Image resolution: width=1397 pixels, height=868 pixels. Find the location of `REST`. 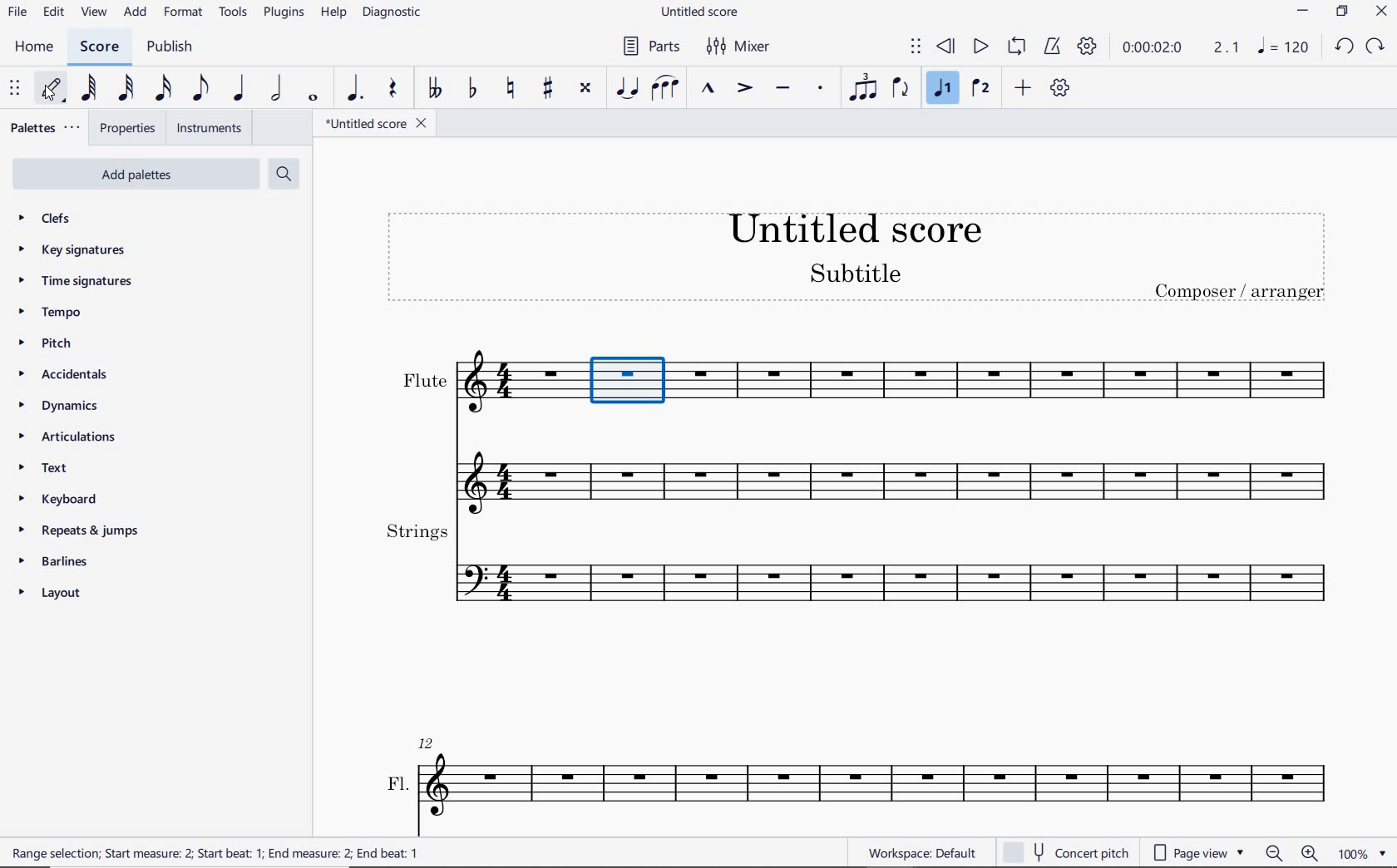

REST is located at coordinates (391, 90).